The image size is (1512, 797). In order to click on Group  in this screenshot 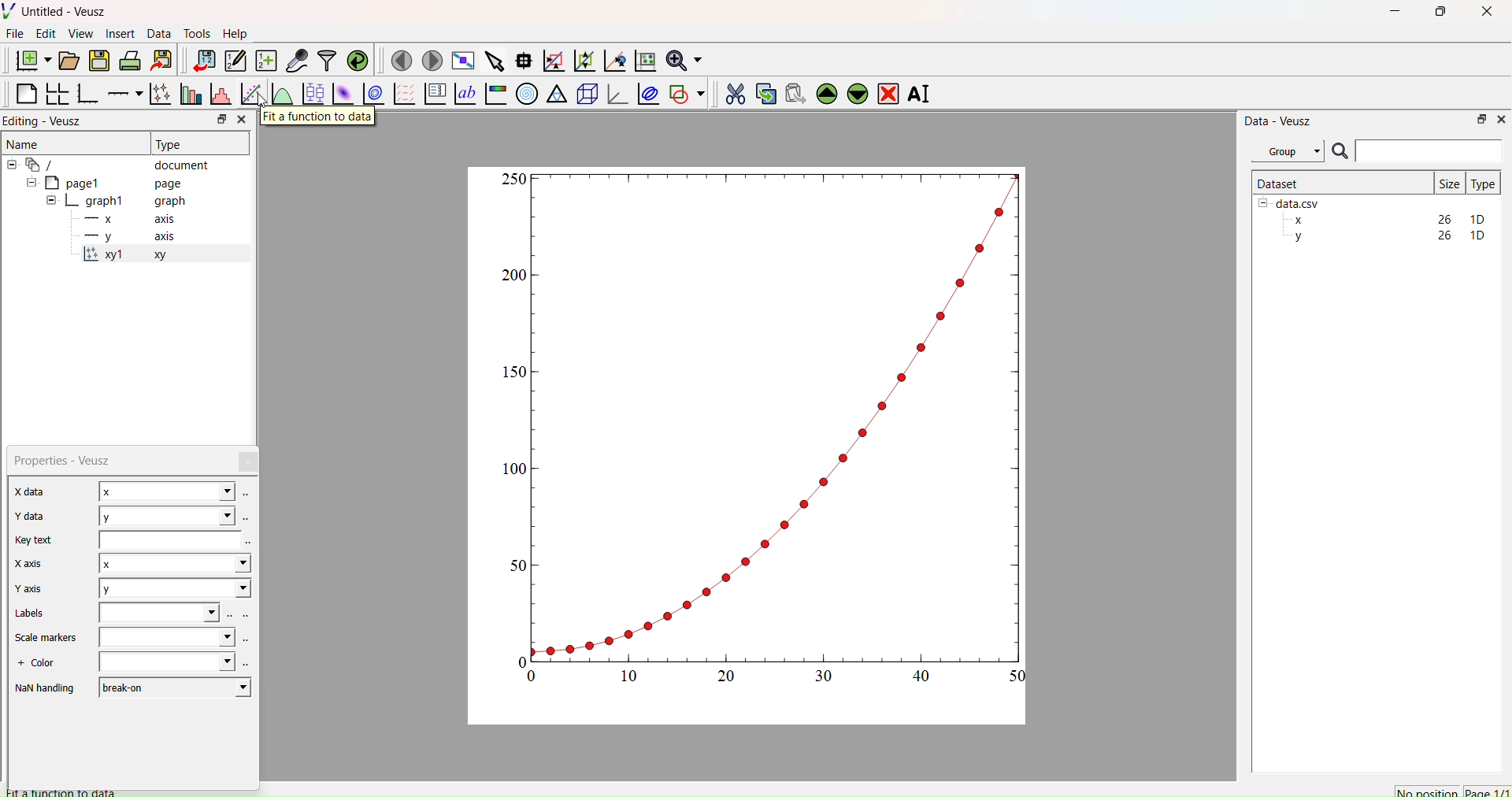, I will do `click(1287, 151)`.